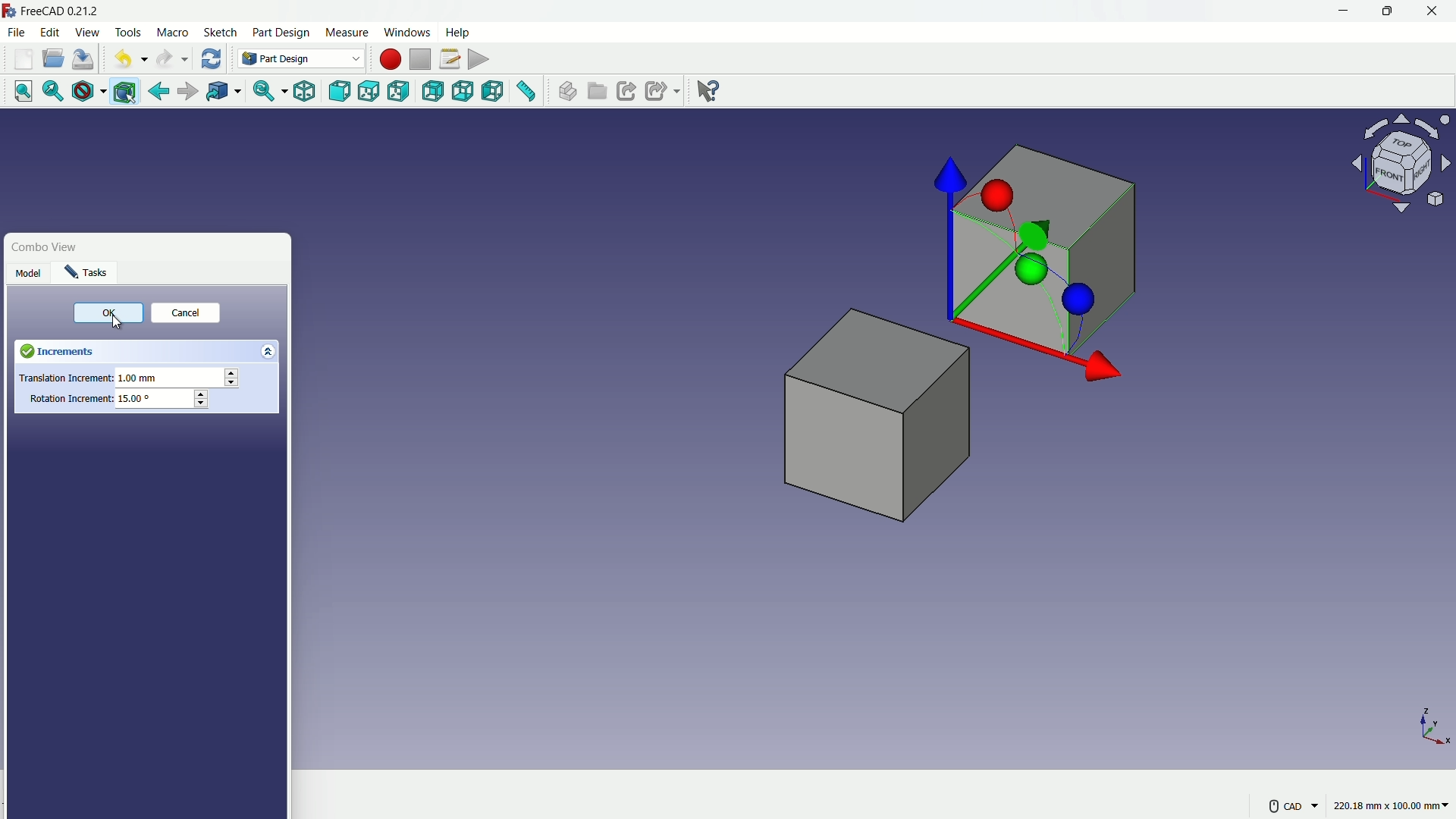  Describe the element at coordinates (49, 92) in the screenshot. I see `fit selection` at that location.